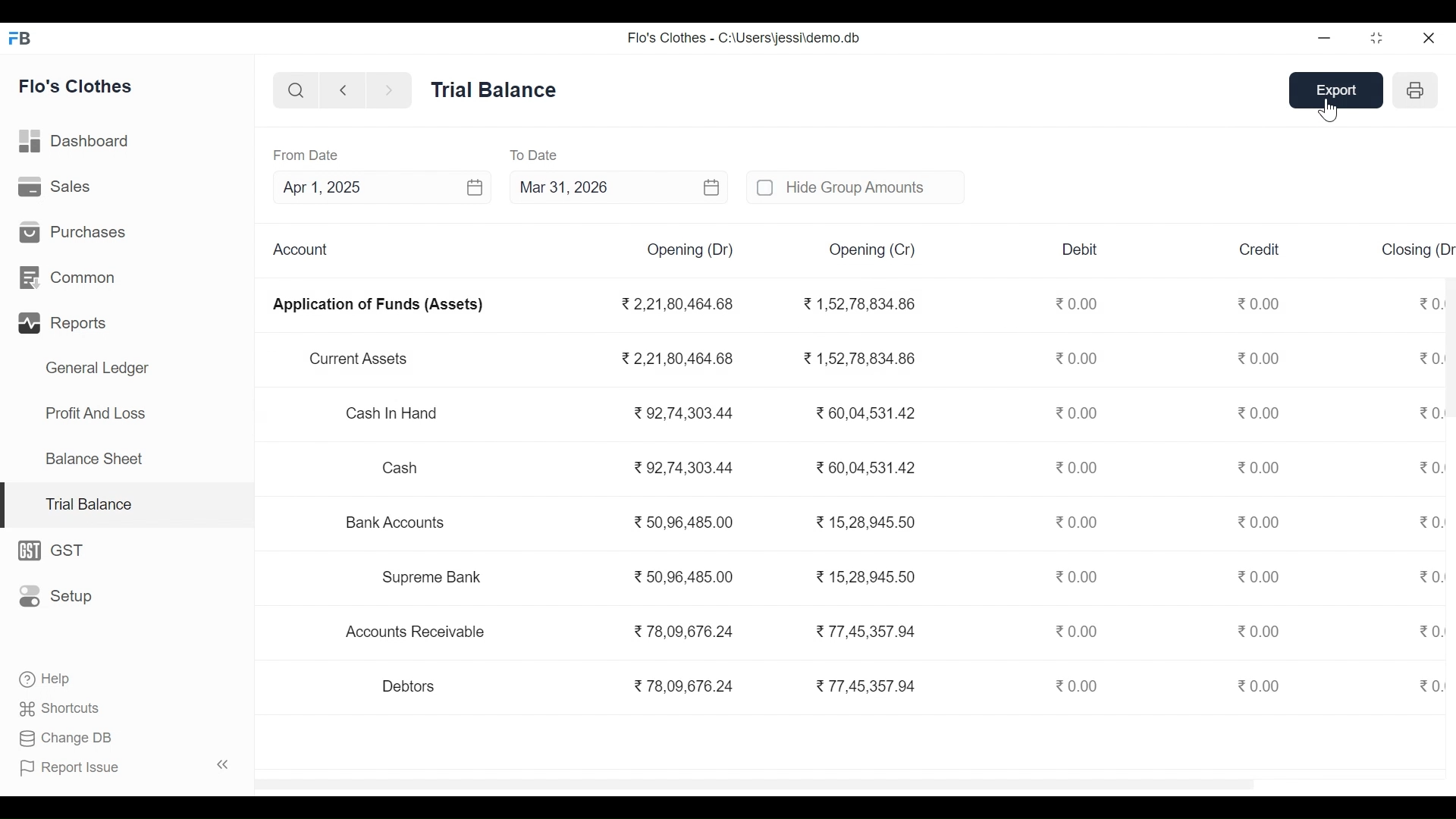  Describe the element at coordinates (1074, 413) in the screenshot. I see `0.00` at that location.